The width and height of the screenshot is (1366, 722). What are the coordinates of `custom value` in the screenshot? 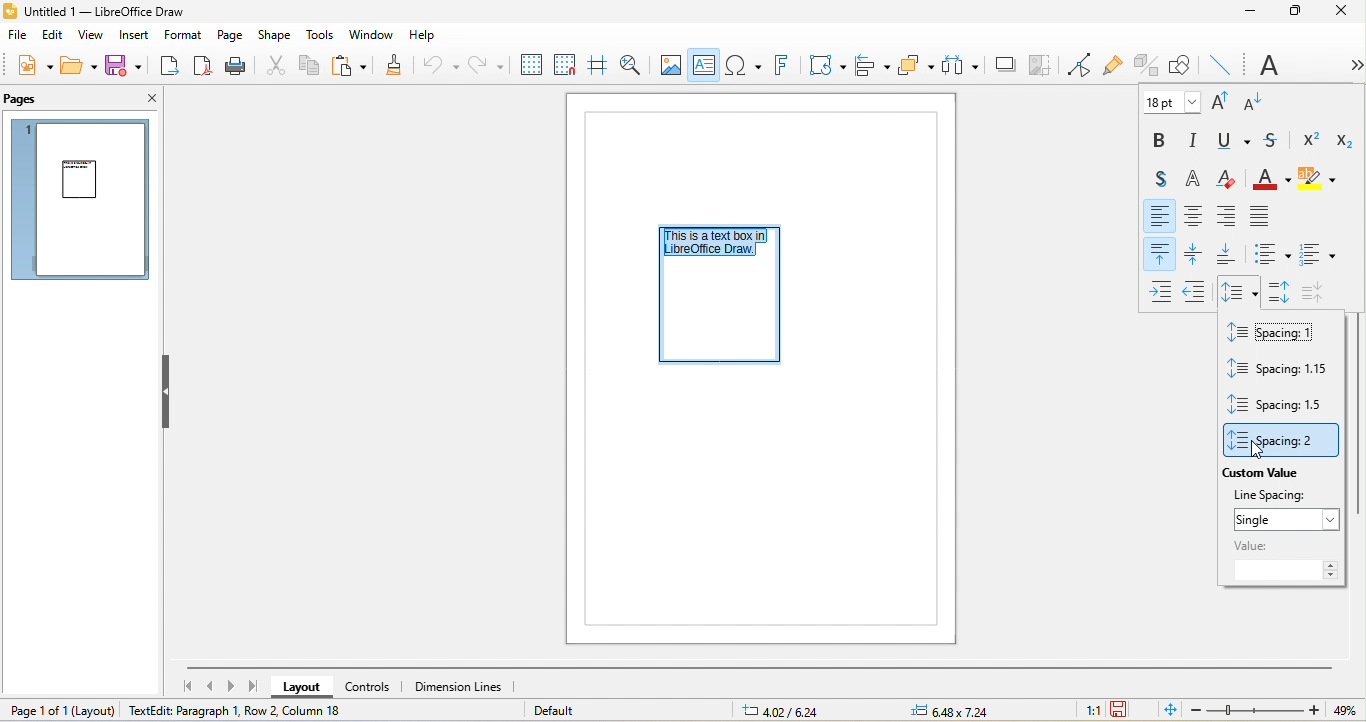 It's located at (1263, 476).